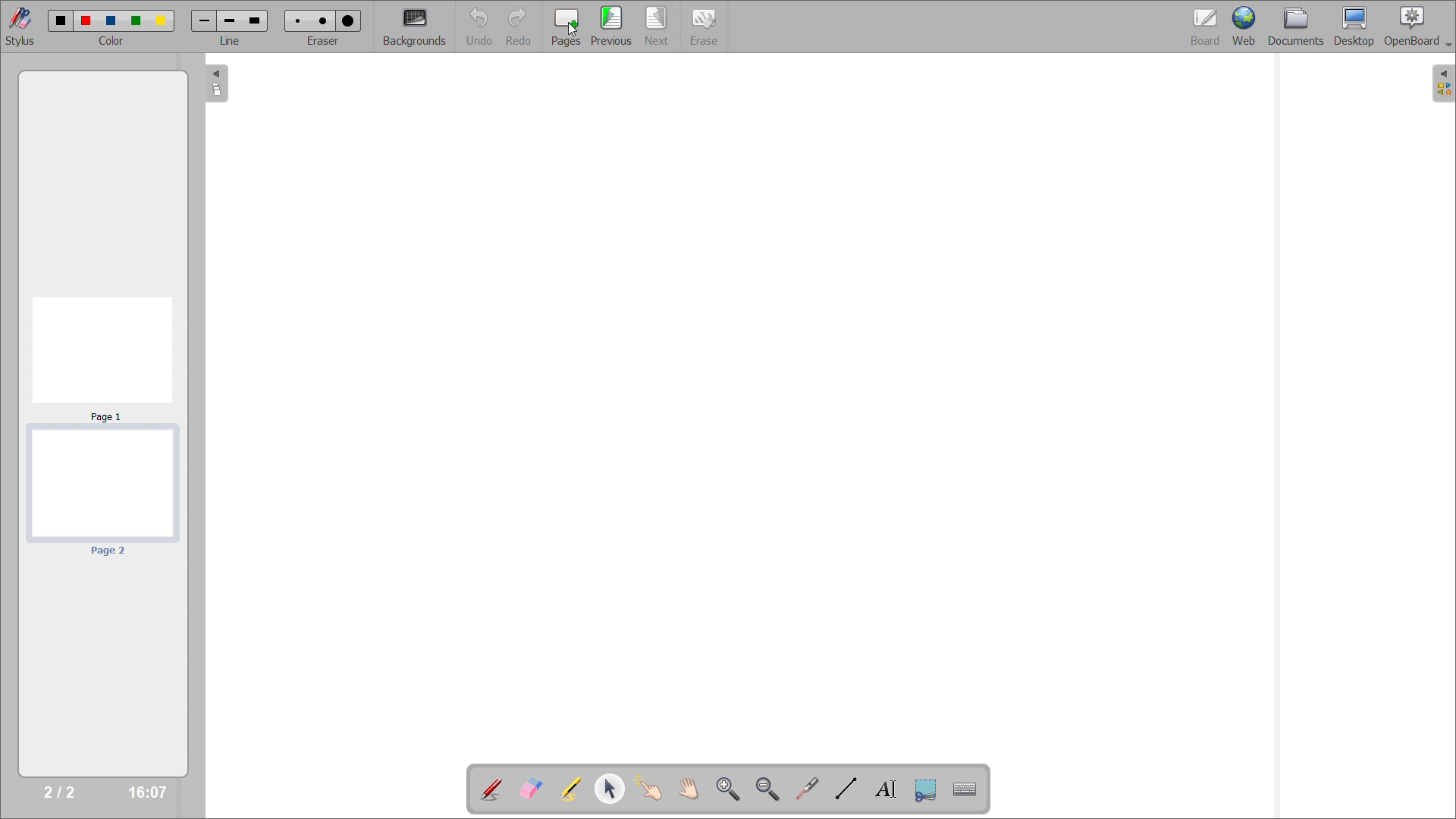 Image resolution: width=1456 pixels, height=819 pixels. I want to click on backgrounds, so click(414, 27).